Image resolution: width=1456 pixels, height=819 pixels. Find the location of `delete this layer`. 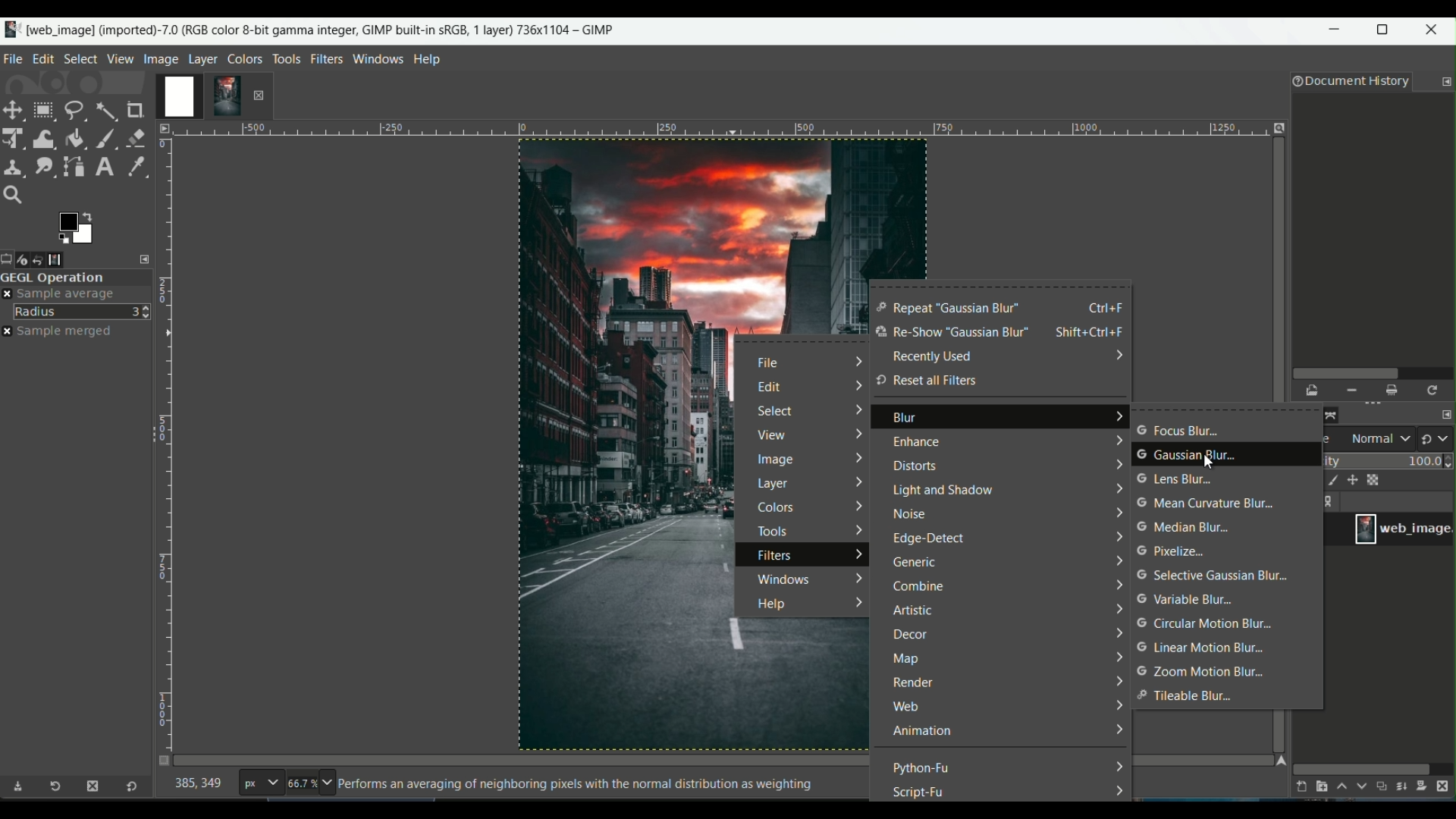

delete this layer is located at coordinates (1447, 786).